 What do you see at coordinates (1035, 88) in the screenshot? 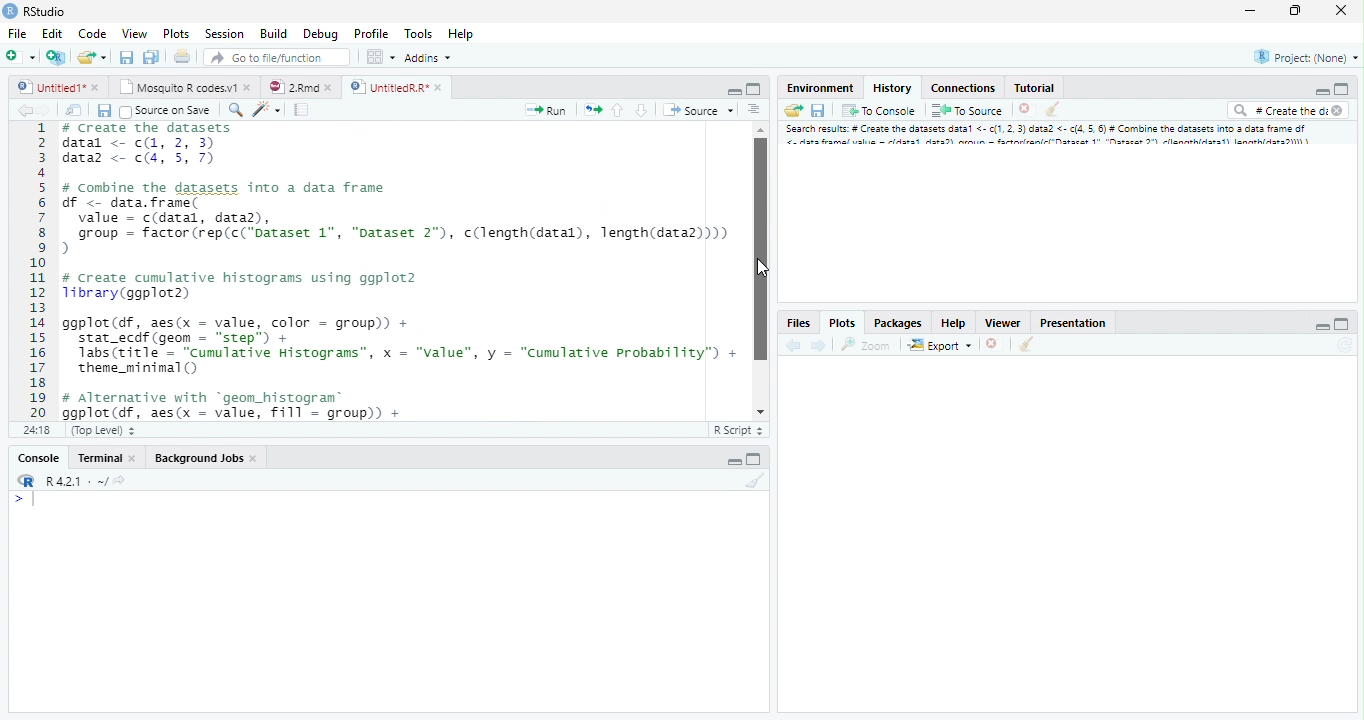
I see `Tutorial` at bounding box center [1035, 88].